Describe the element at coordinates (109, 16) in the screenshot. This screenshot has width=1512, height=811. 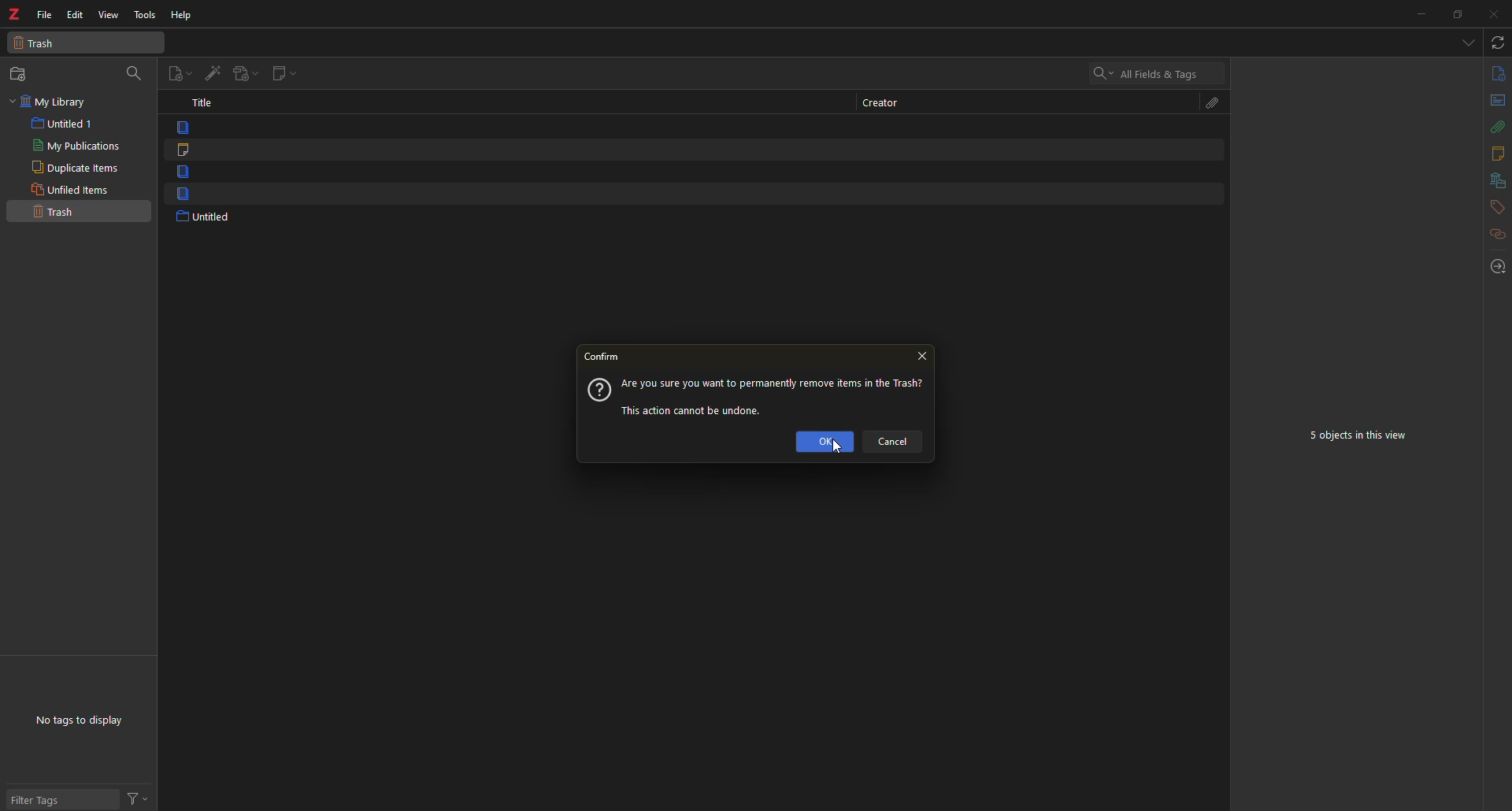
I see `view` at that location.